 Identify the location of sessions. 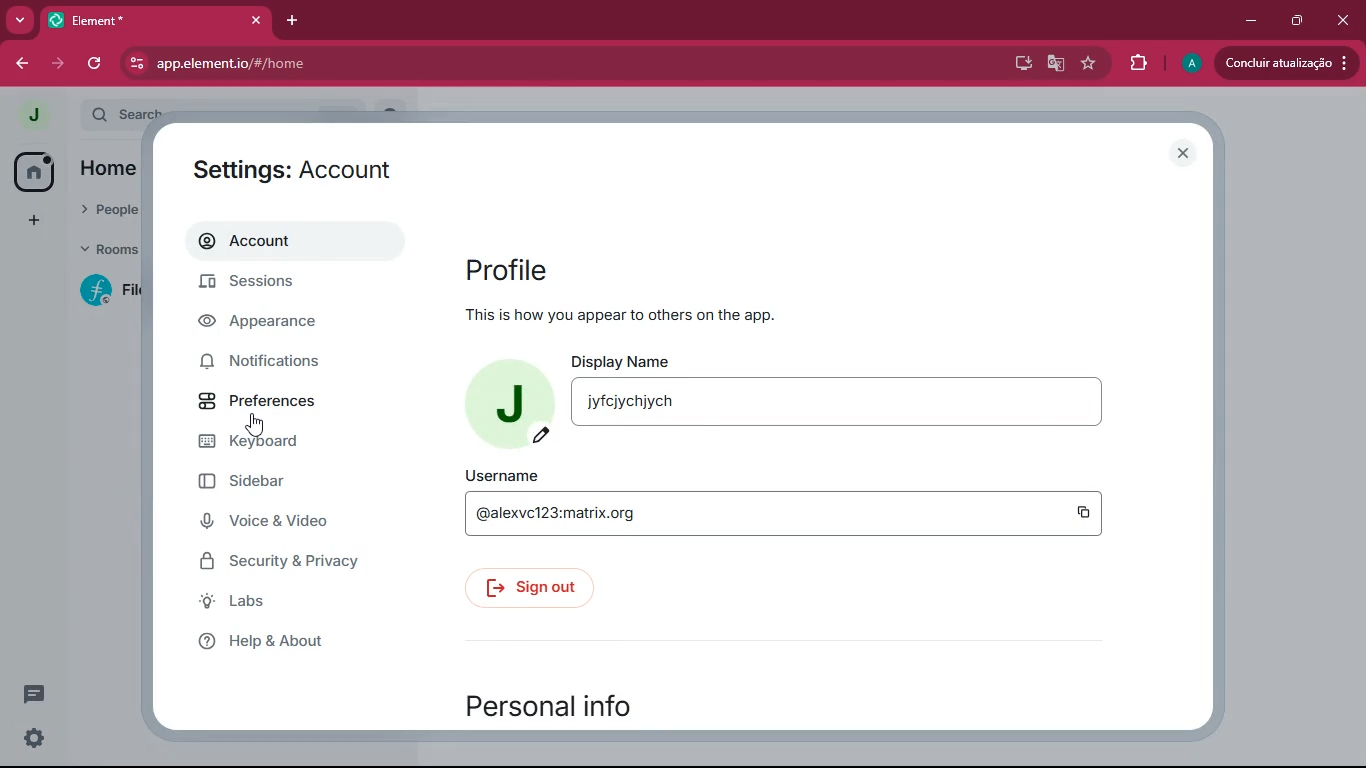
(283, 285).